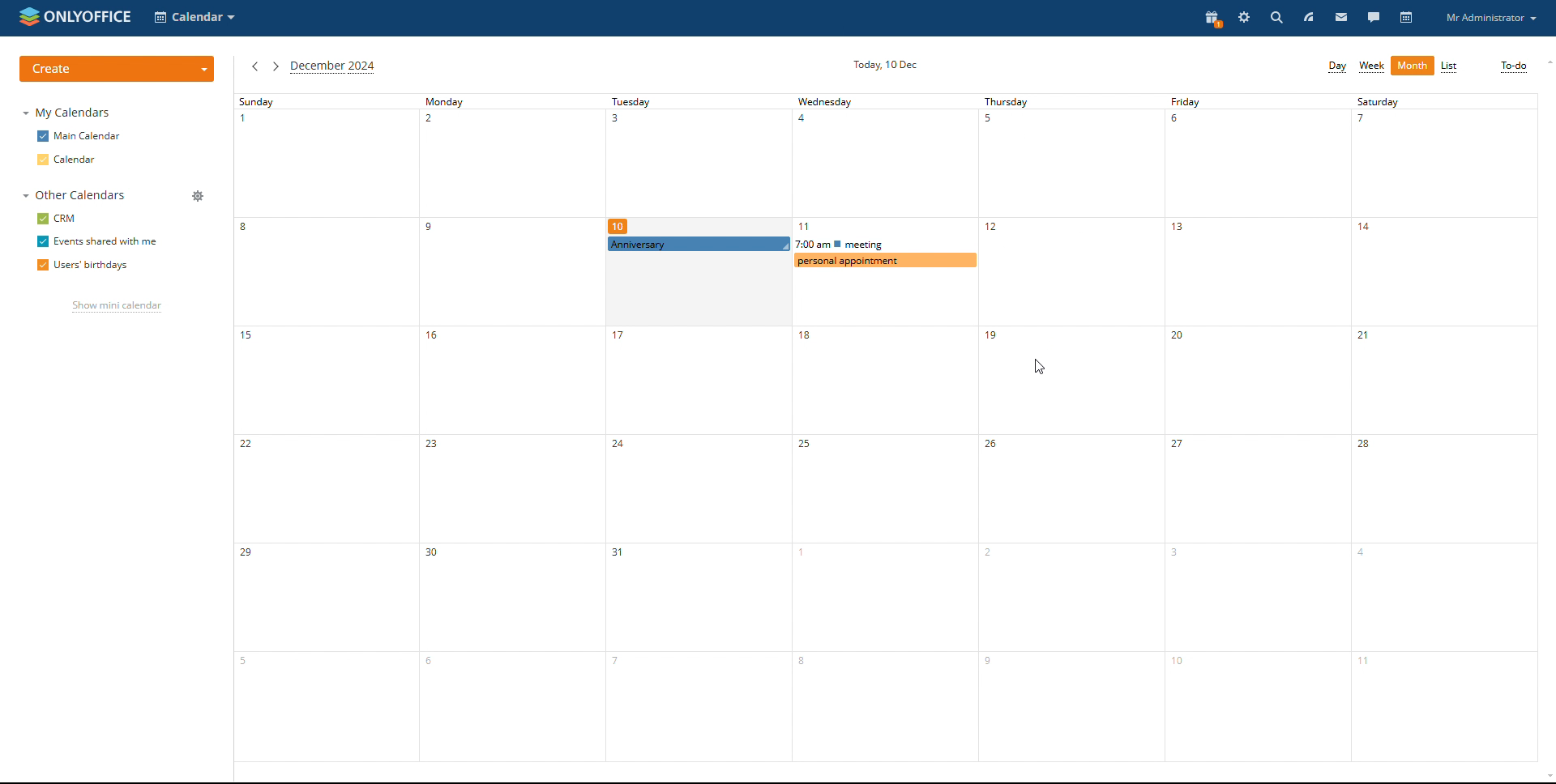 The width and height of the screenshot is (1556, 784). Describe the element at coordinates (855, 285) in the screenshot. I see `cursor` at that location.